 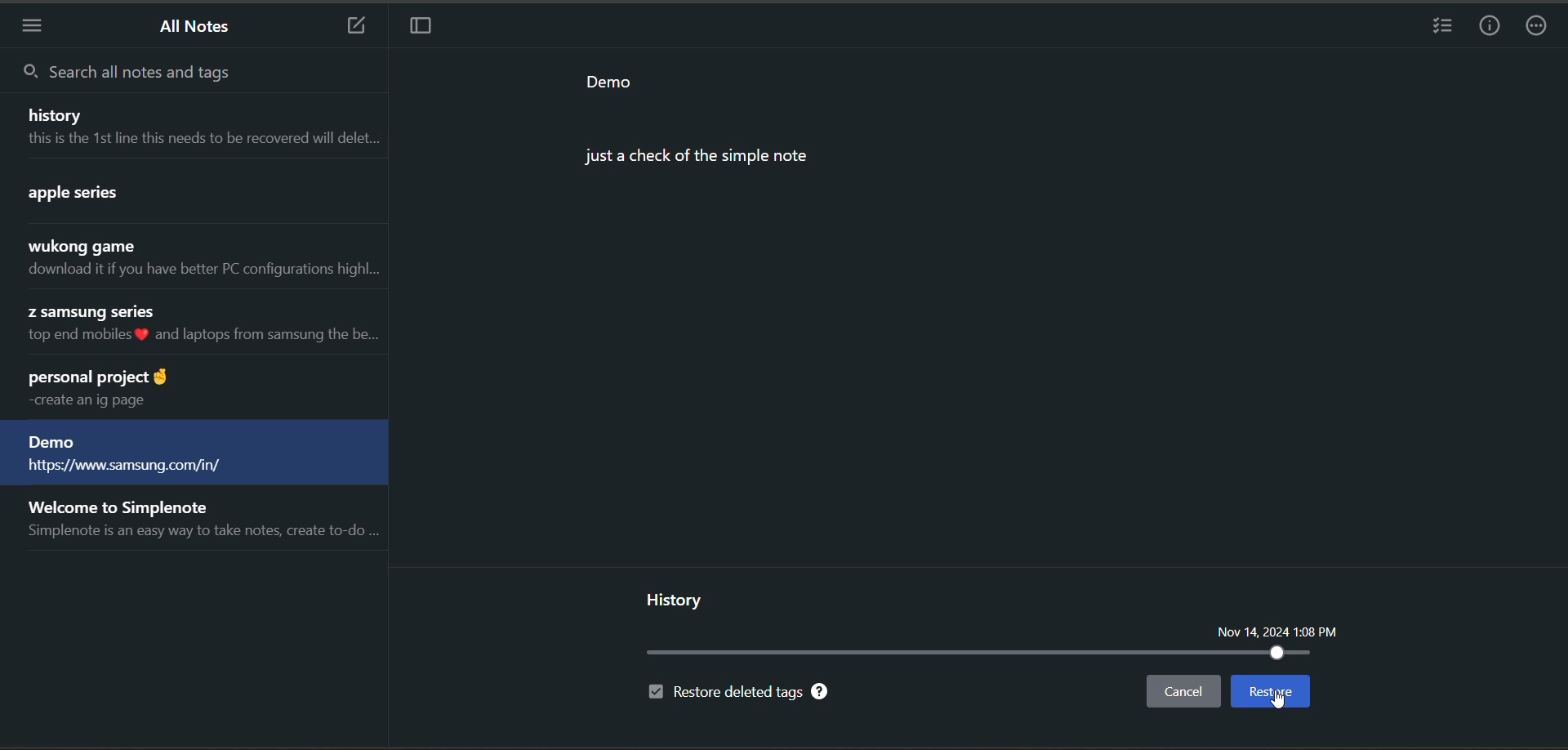 What do you see at coordinates (1541, 28) in the screenshot?
I see `actions` at bounding box center [1541, 28].